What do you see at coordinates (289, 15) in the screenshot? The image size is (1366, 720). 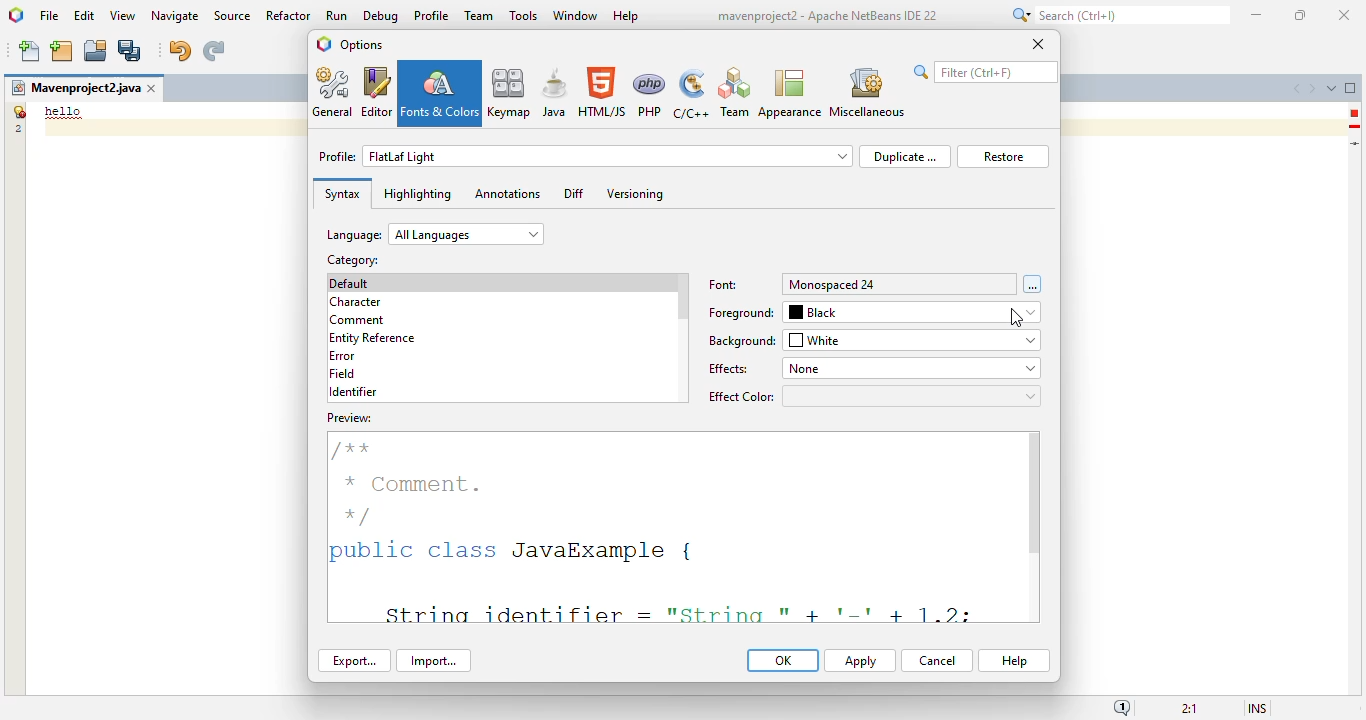 I see `refactor` at bounding box center [289, 15].